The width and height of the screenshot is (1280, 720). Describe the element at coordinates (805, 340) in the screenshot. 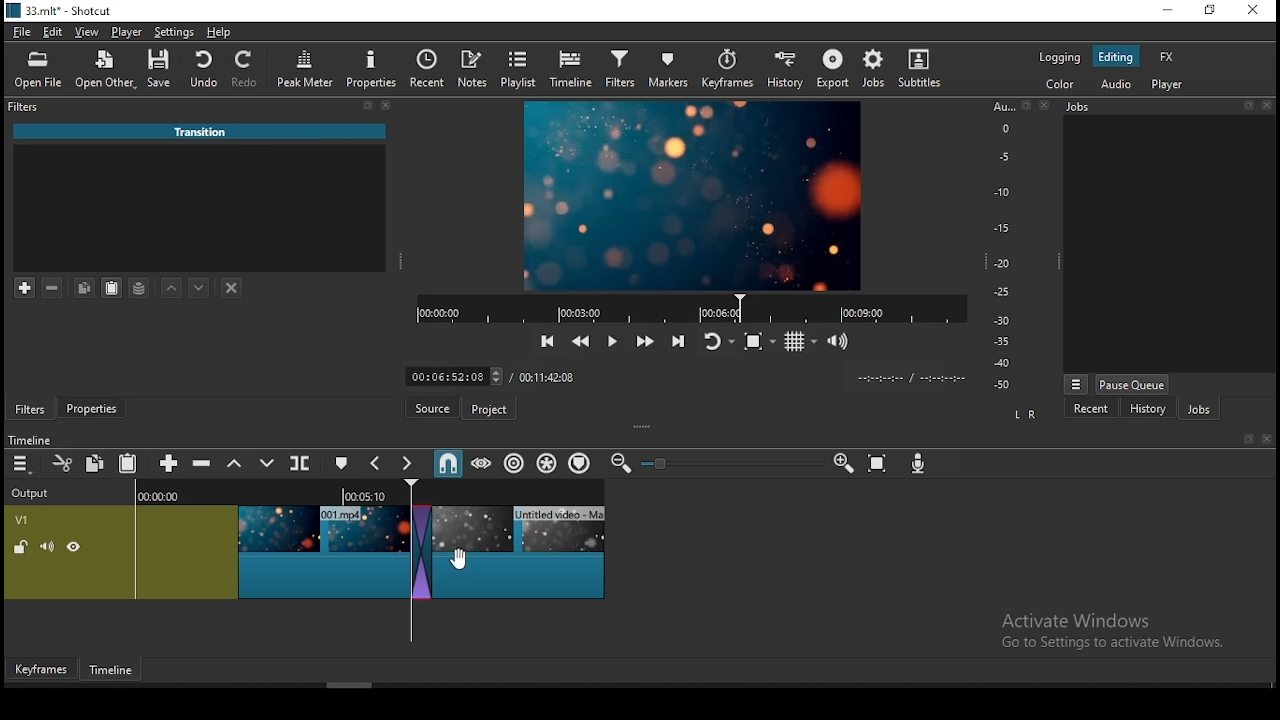

I see `toggle grid display on player` at that location.